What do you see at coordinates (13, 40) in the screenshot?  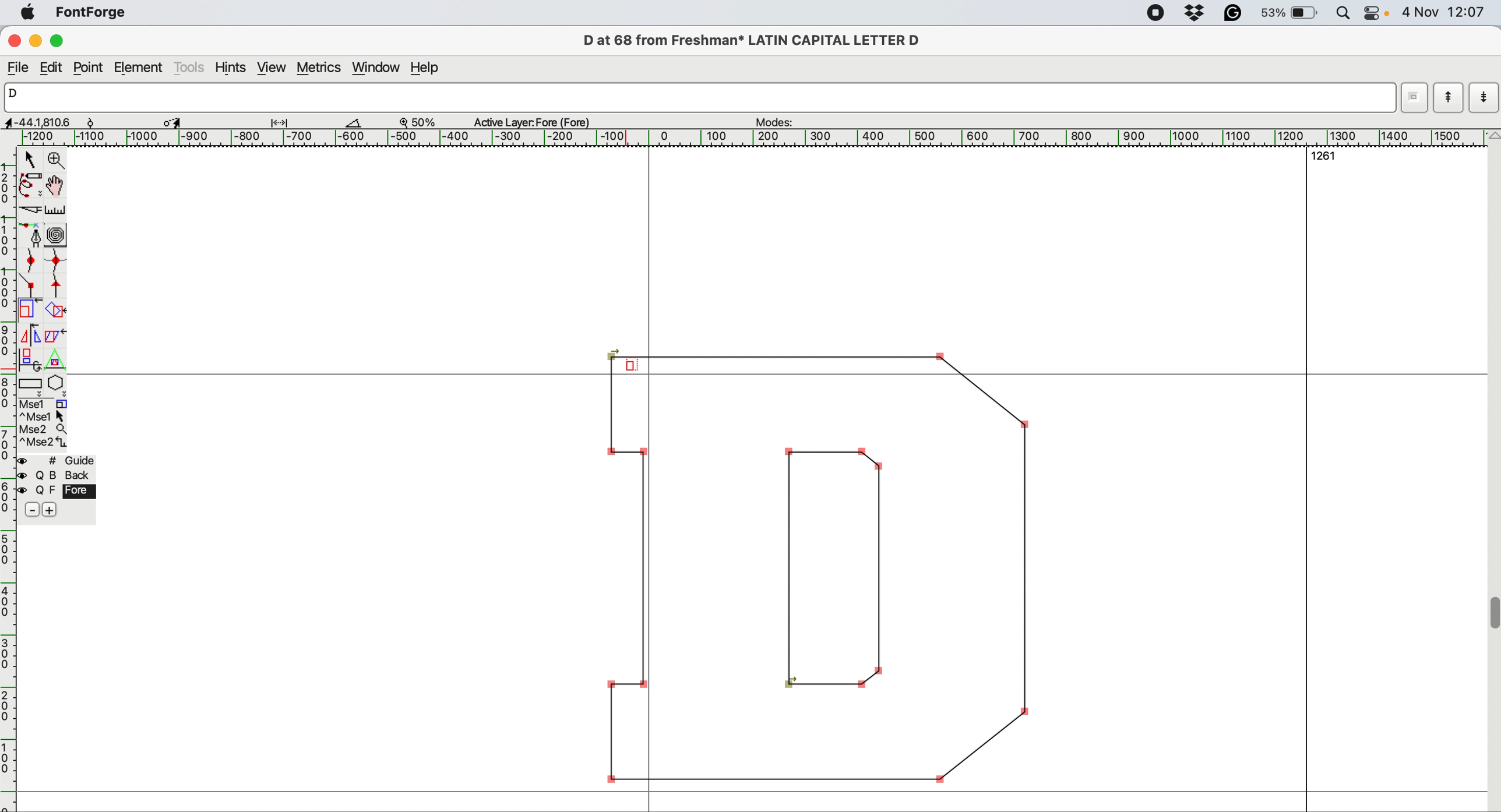 I see `close` at bounding box center [13, 40].